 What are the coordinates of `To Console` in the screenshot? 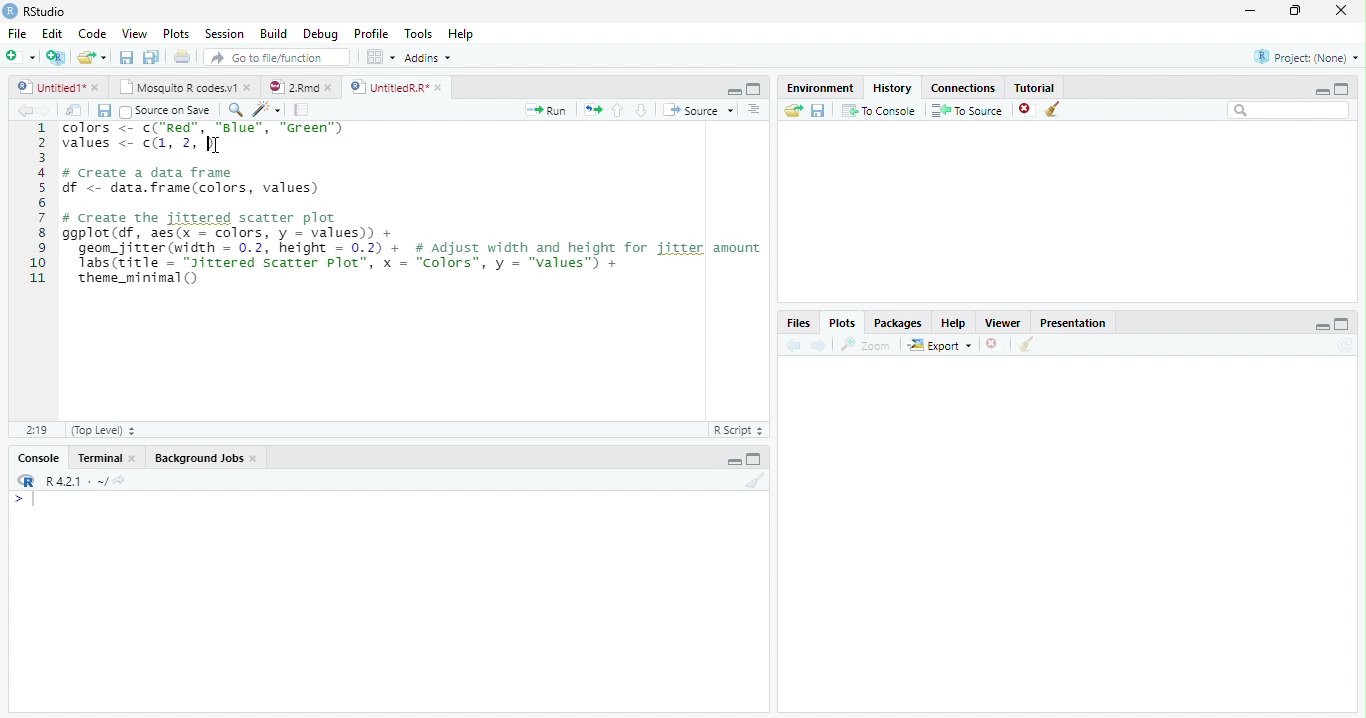 It's located at (878, 111).